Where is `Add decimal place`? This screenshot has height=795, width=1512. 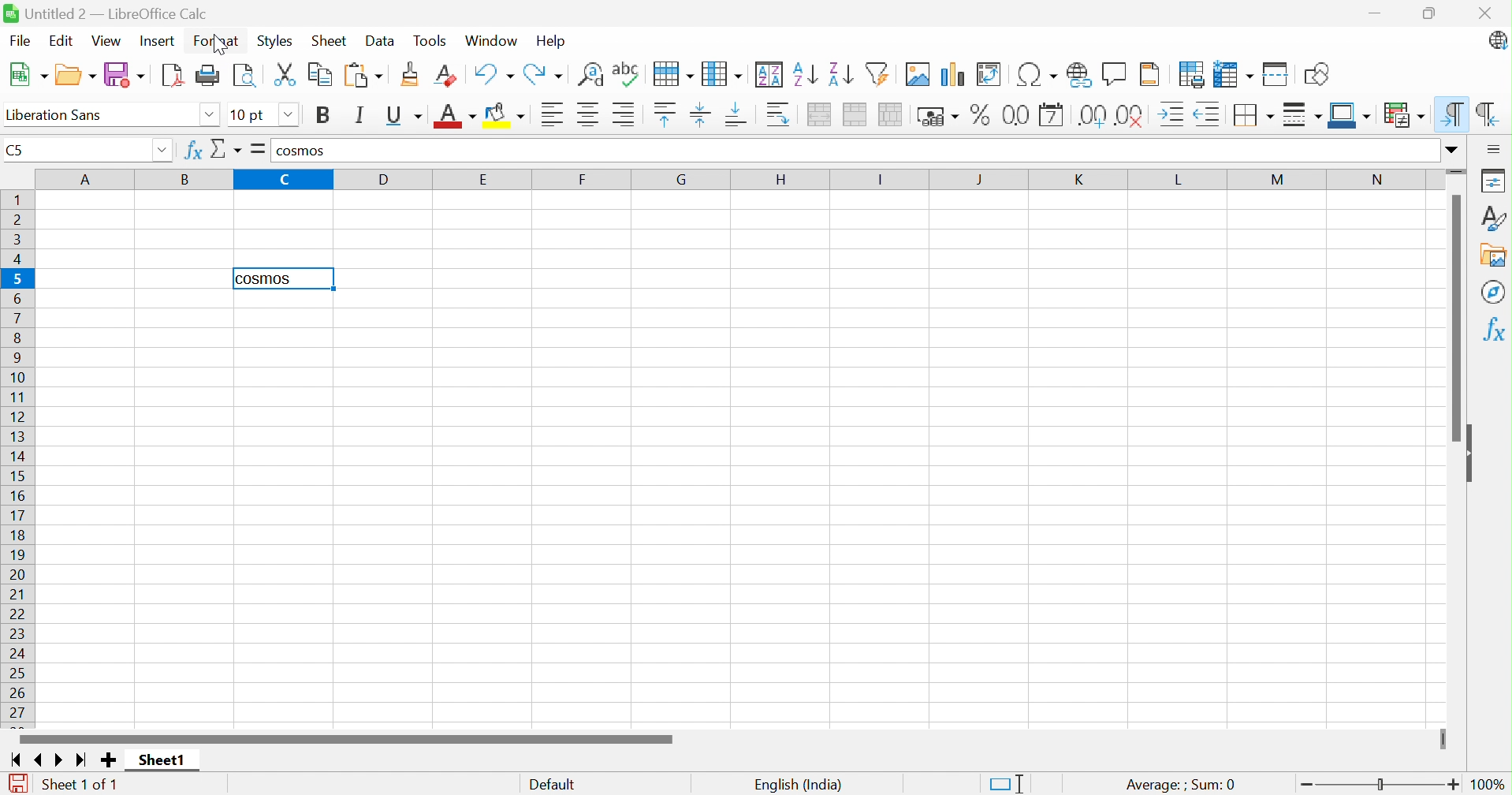 Add decimal place is located at coordinates (1094, 117).